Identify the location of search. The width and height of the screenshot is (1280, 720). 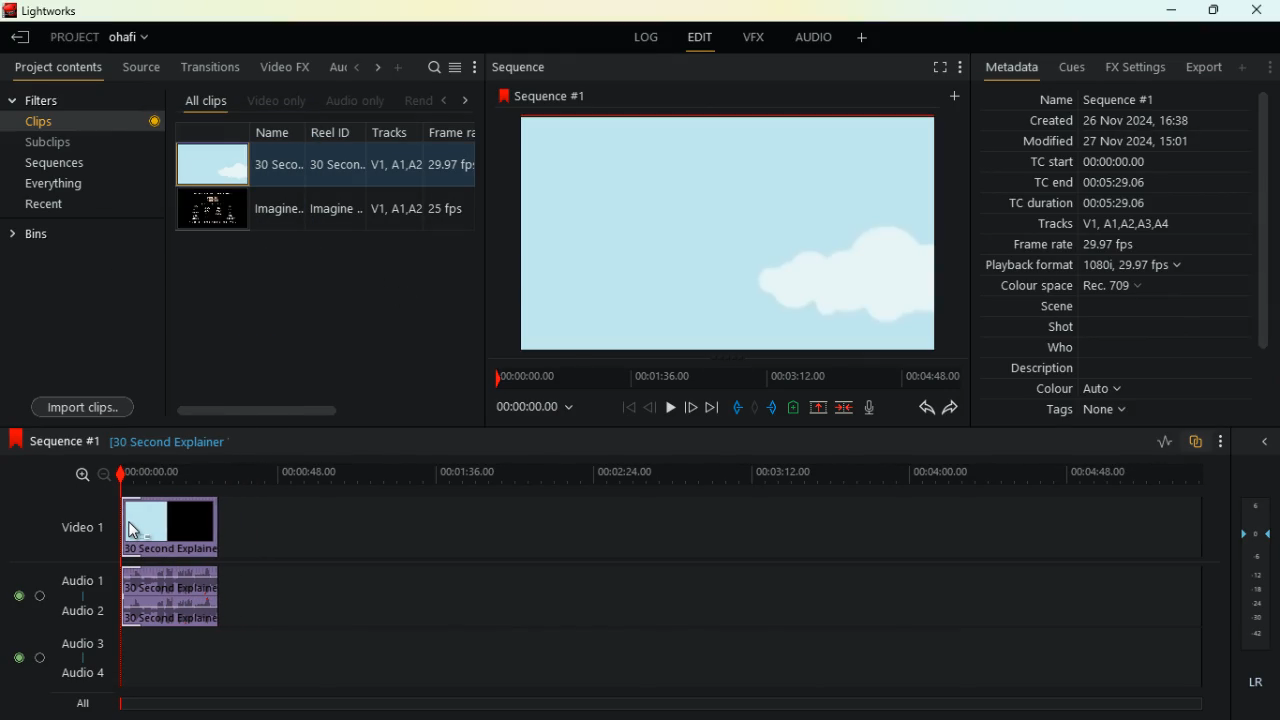
(434, 69).